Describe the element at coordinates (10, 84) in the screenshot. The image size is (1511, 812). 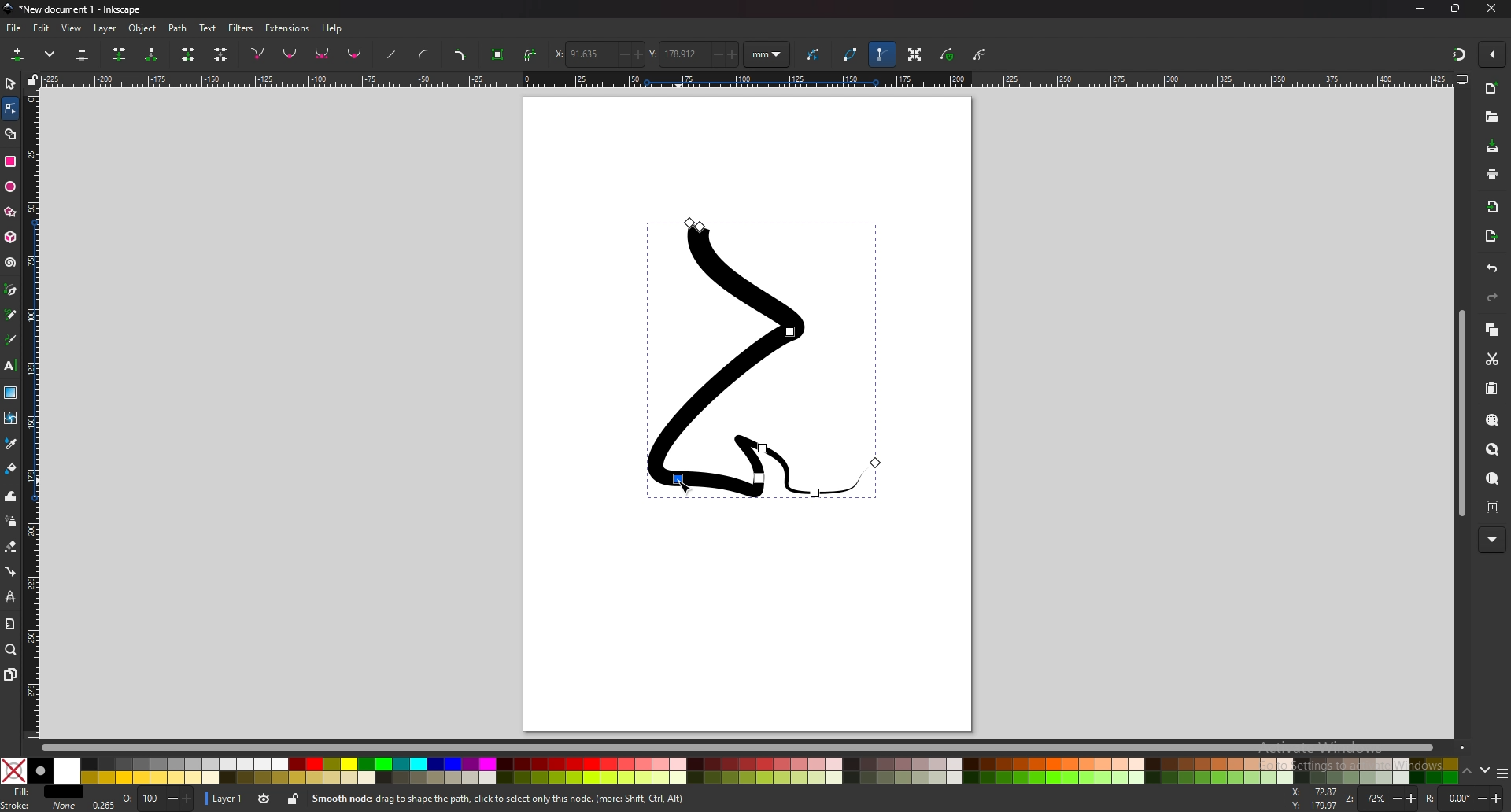
I see `selector` at that location.